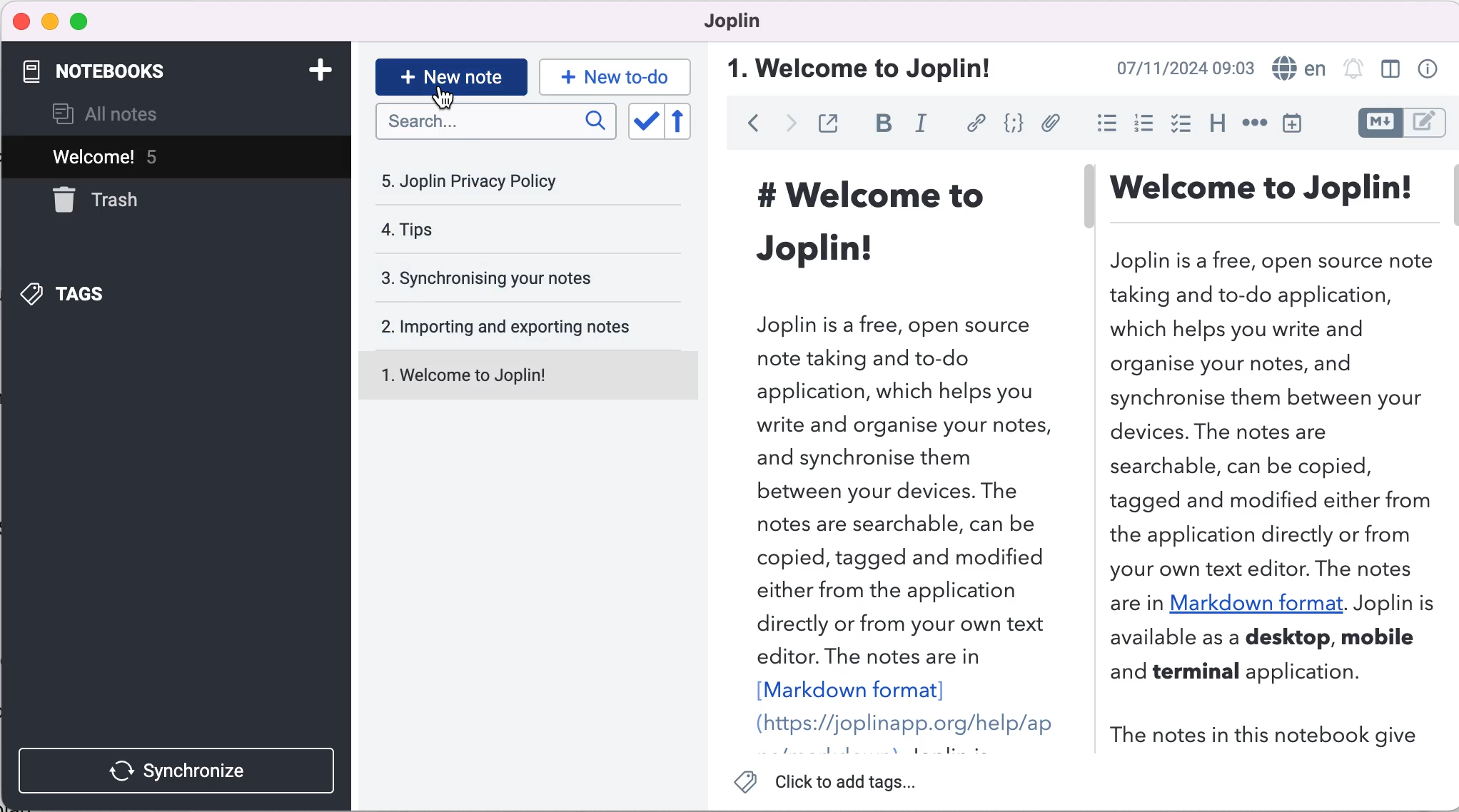  What do you see at coordinates (479, 181) in the screenshot?
I see `joplin privacy policy` at bounding box center [479, 181].